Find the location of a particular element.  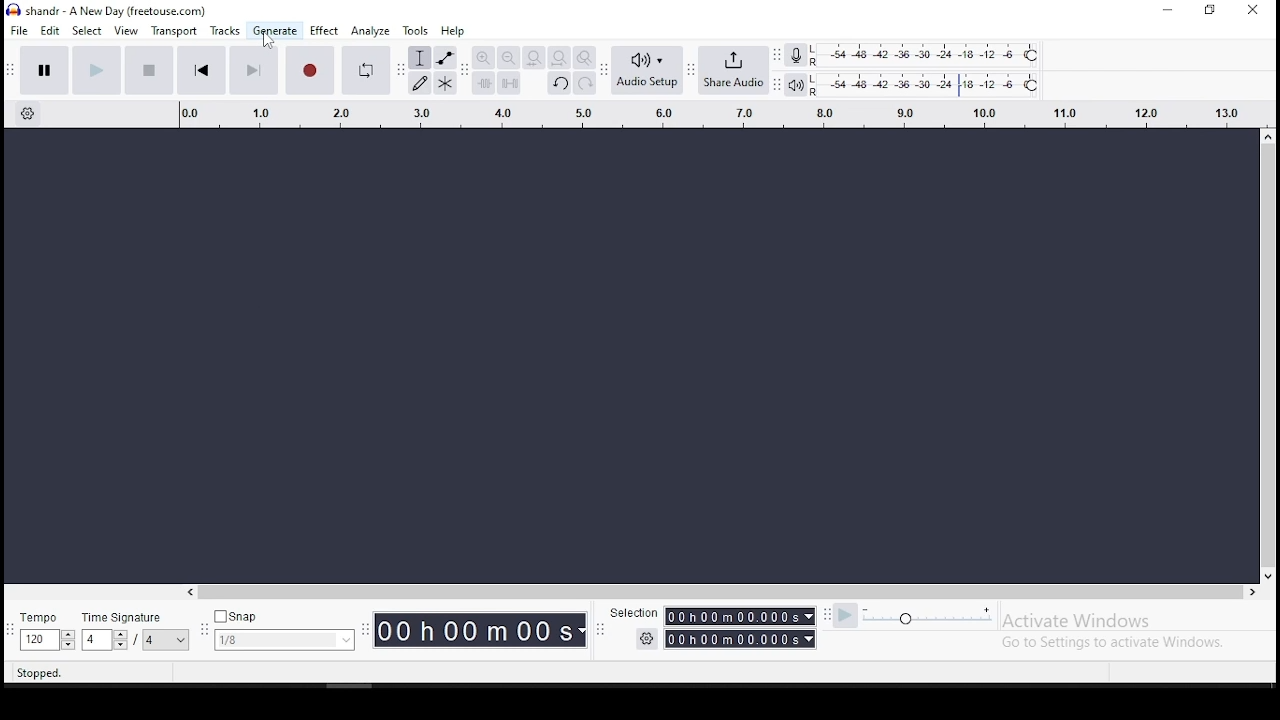

skip to start is located at coordinates (201, 71).